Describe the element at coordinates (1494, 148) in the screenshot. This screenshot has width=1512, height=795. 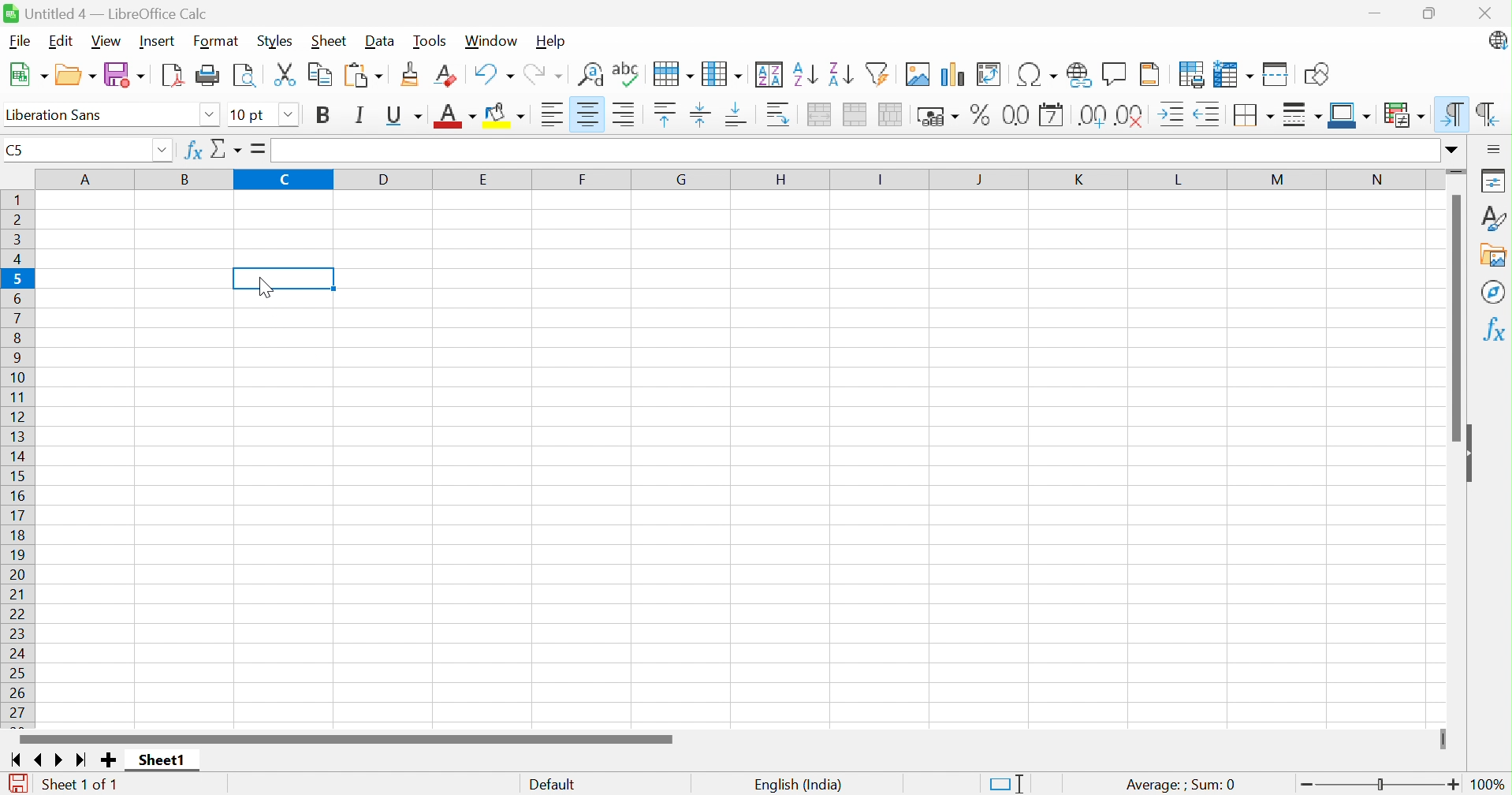
I see `Sidebar Settings` at that location.